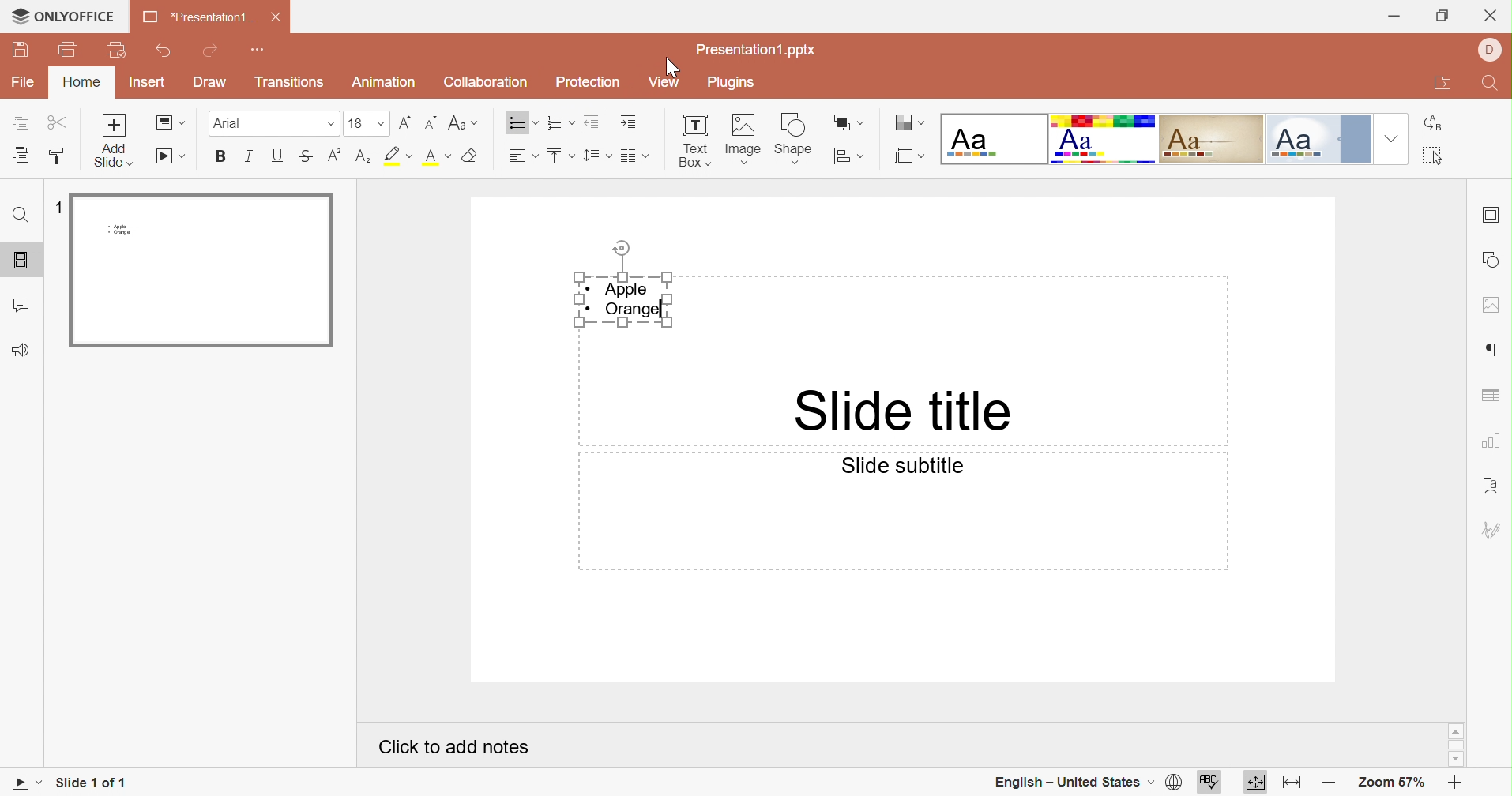 This screenshot has height=796, width=1512. What do you see at coordinates (454, 744) in the screenshot?
I see `Click to add notes` at bounding box center [454, 744].